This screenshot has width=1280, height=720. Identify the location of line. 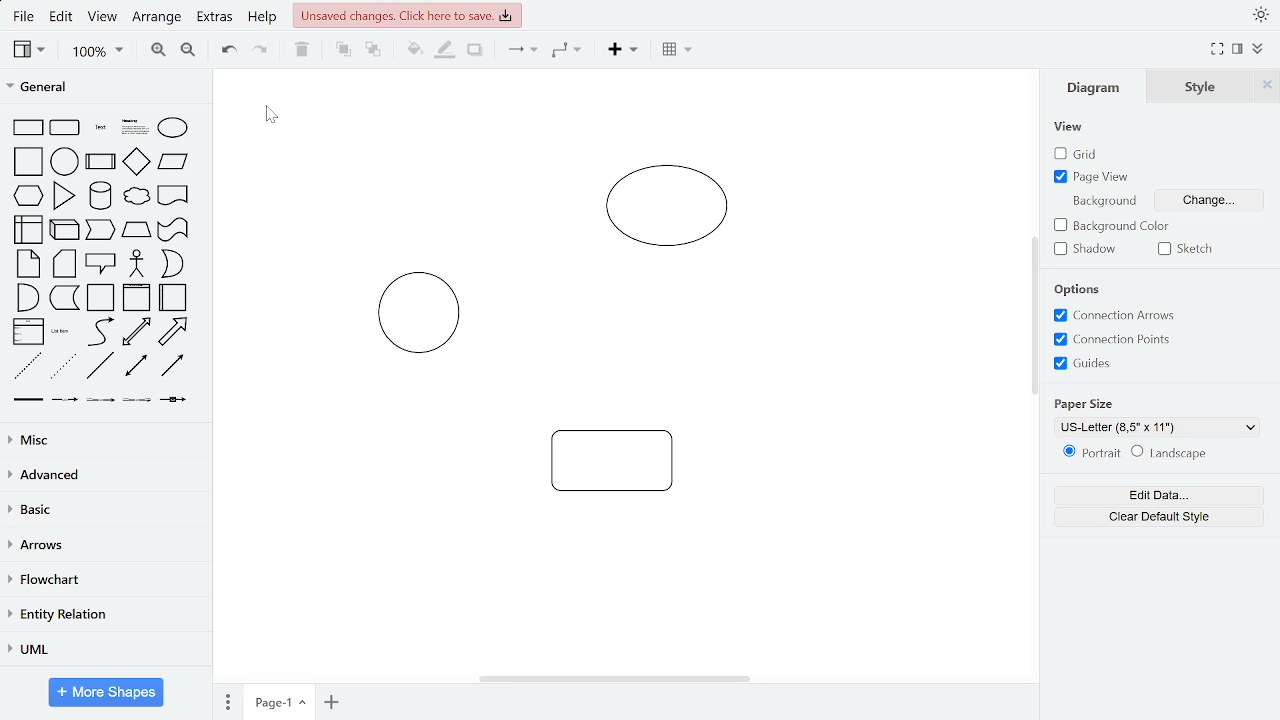
(101, 366).